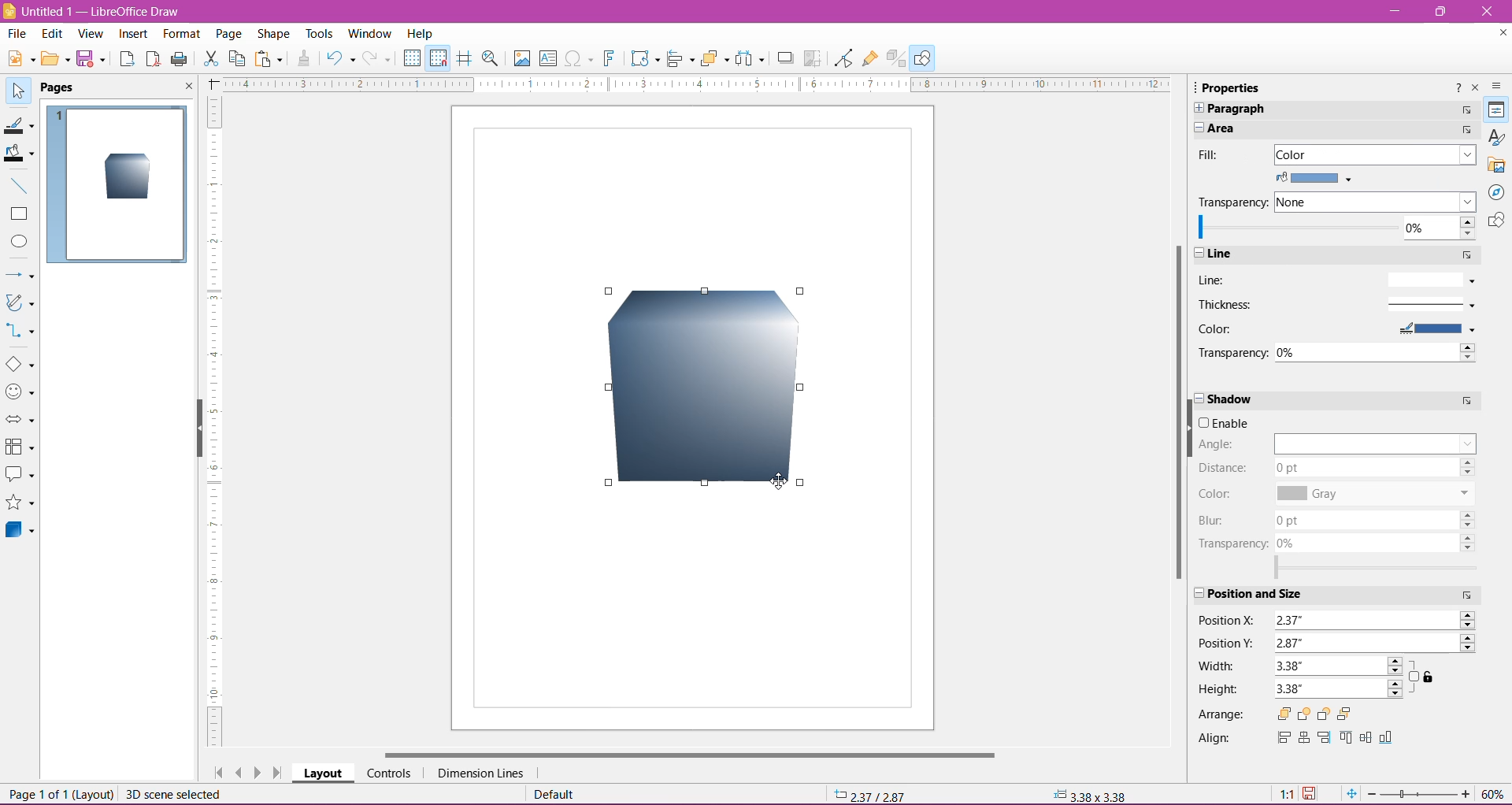  I want to click on Line, so click(1321, 254).